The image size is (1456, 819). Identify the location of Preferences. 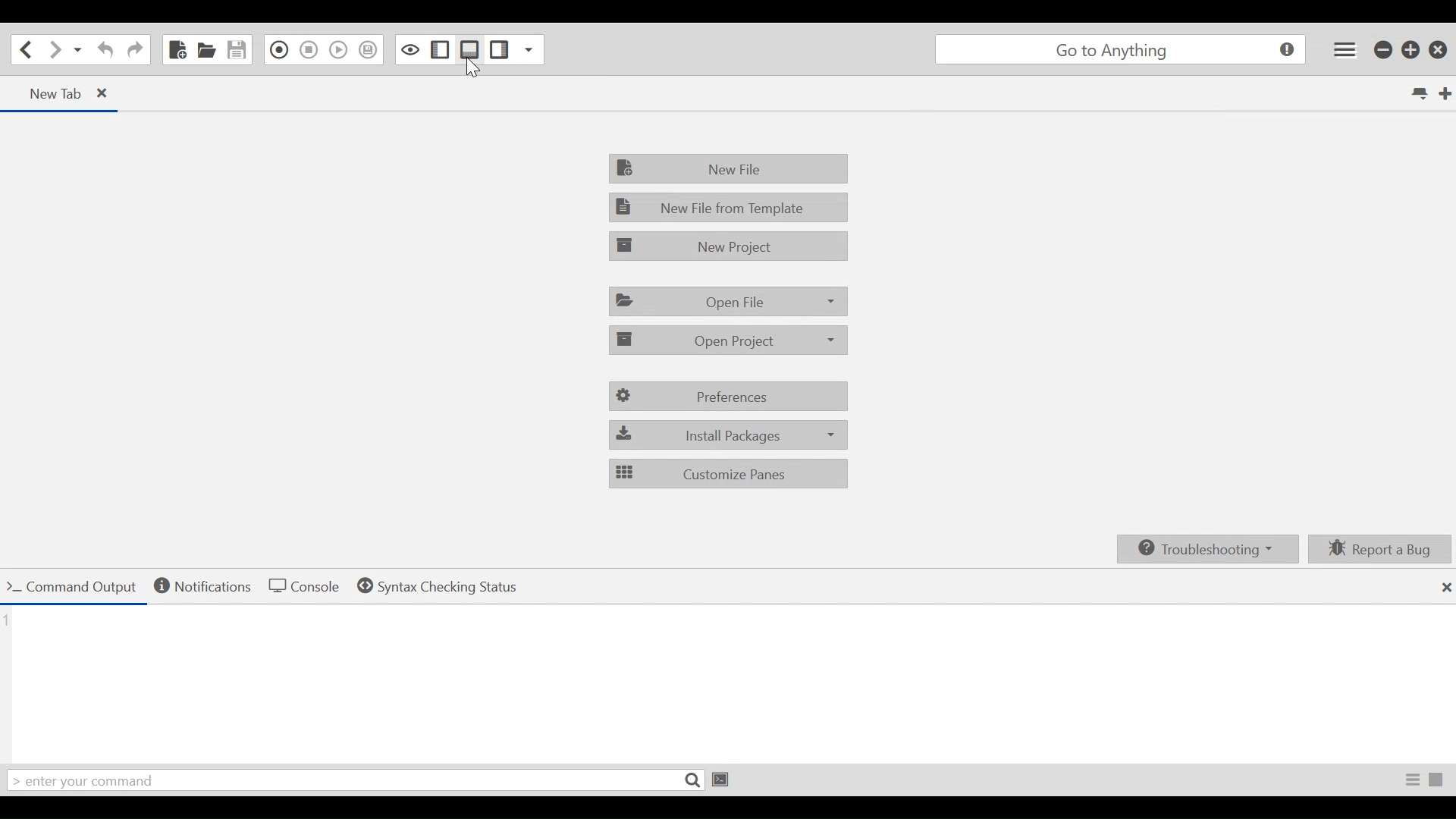
(727, 396).